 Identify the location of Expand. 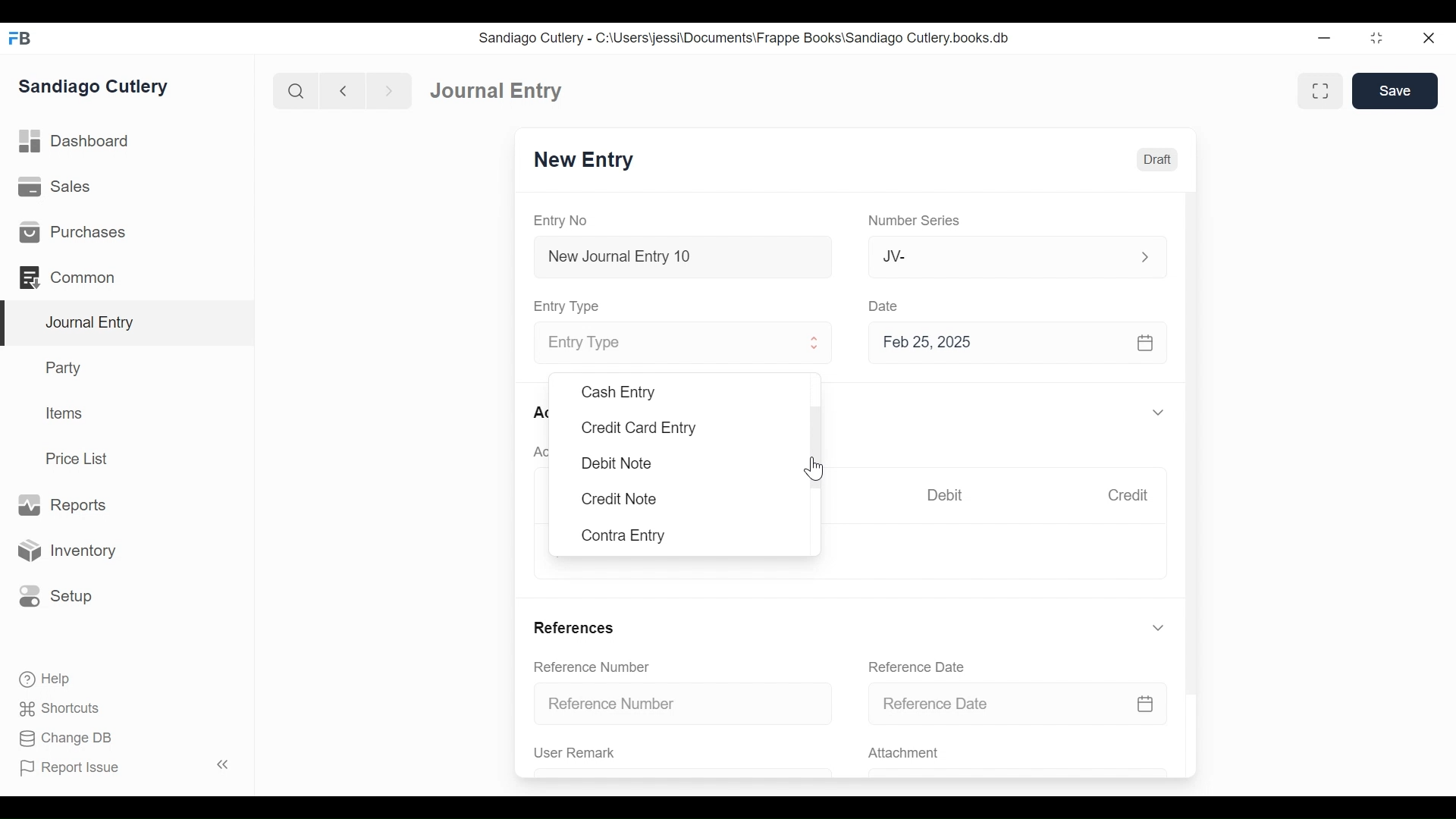
(1144, 256).